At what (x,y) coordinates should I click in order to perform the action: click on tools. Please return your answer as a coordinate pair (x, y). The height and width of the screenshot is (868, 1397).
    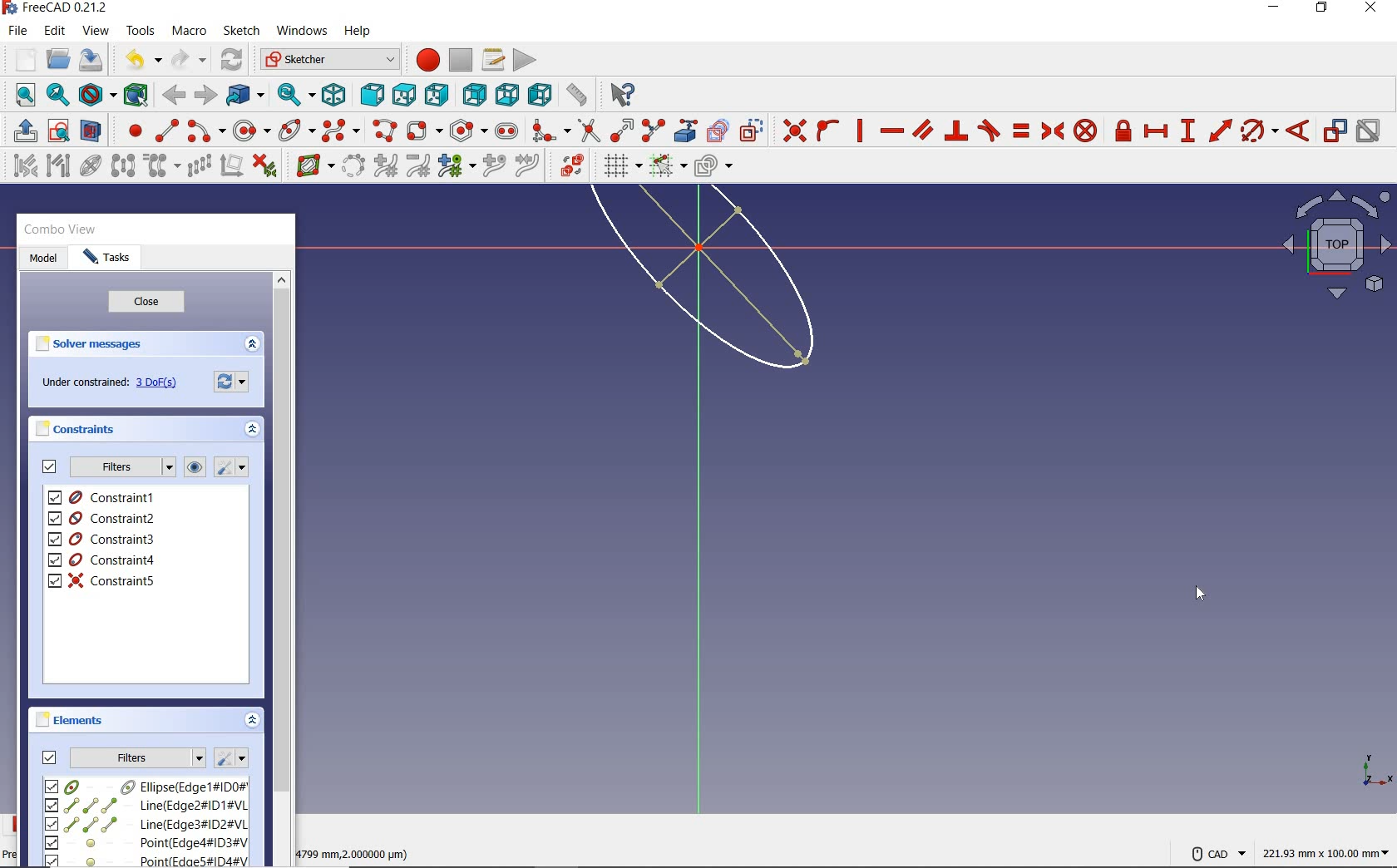
    Looking at the image, I should click on (142, 30).